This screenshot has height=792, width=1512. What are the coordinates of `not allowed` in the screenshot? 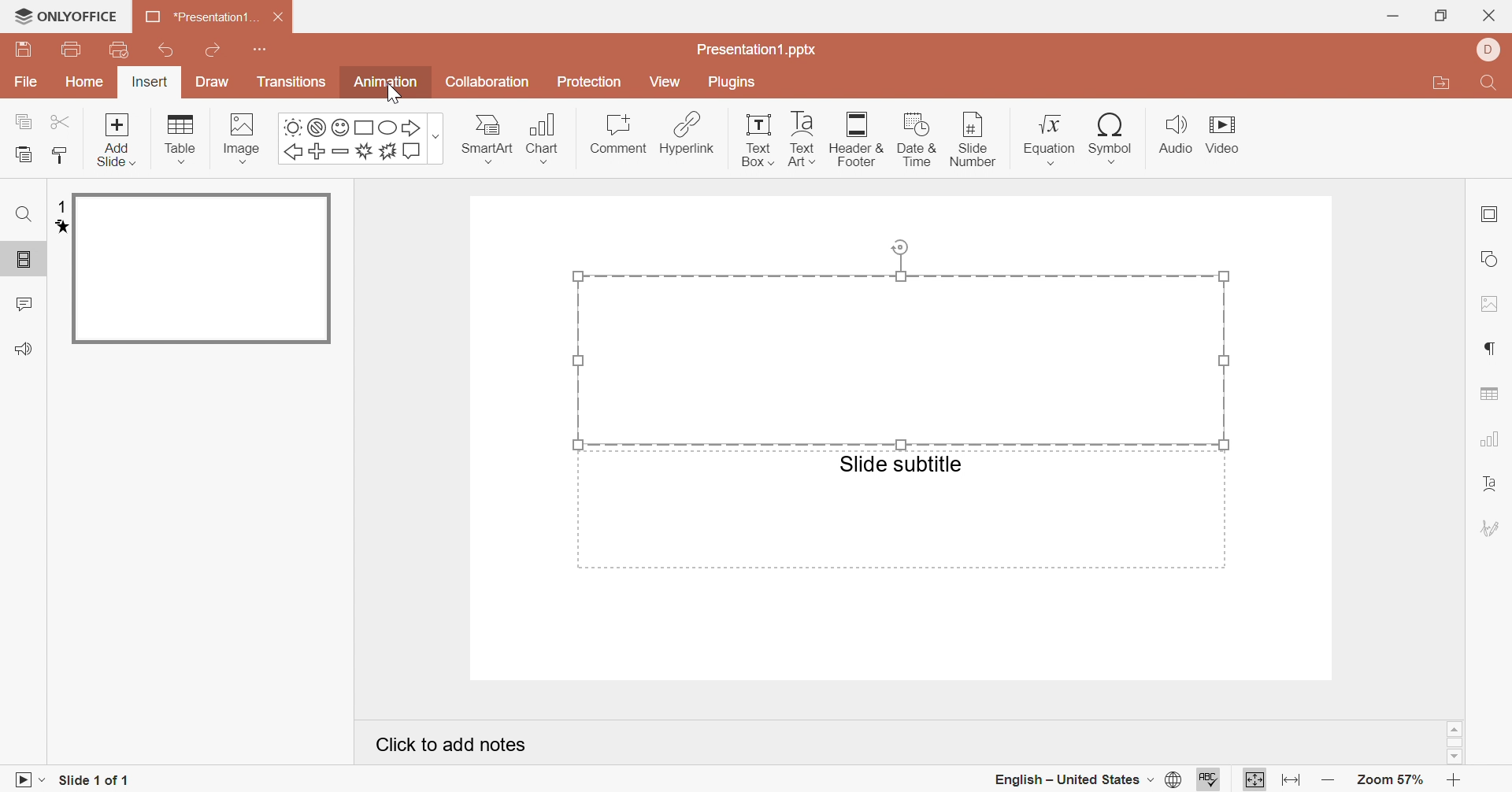 It's located at (316, 126).